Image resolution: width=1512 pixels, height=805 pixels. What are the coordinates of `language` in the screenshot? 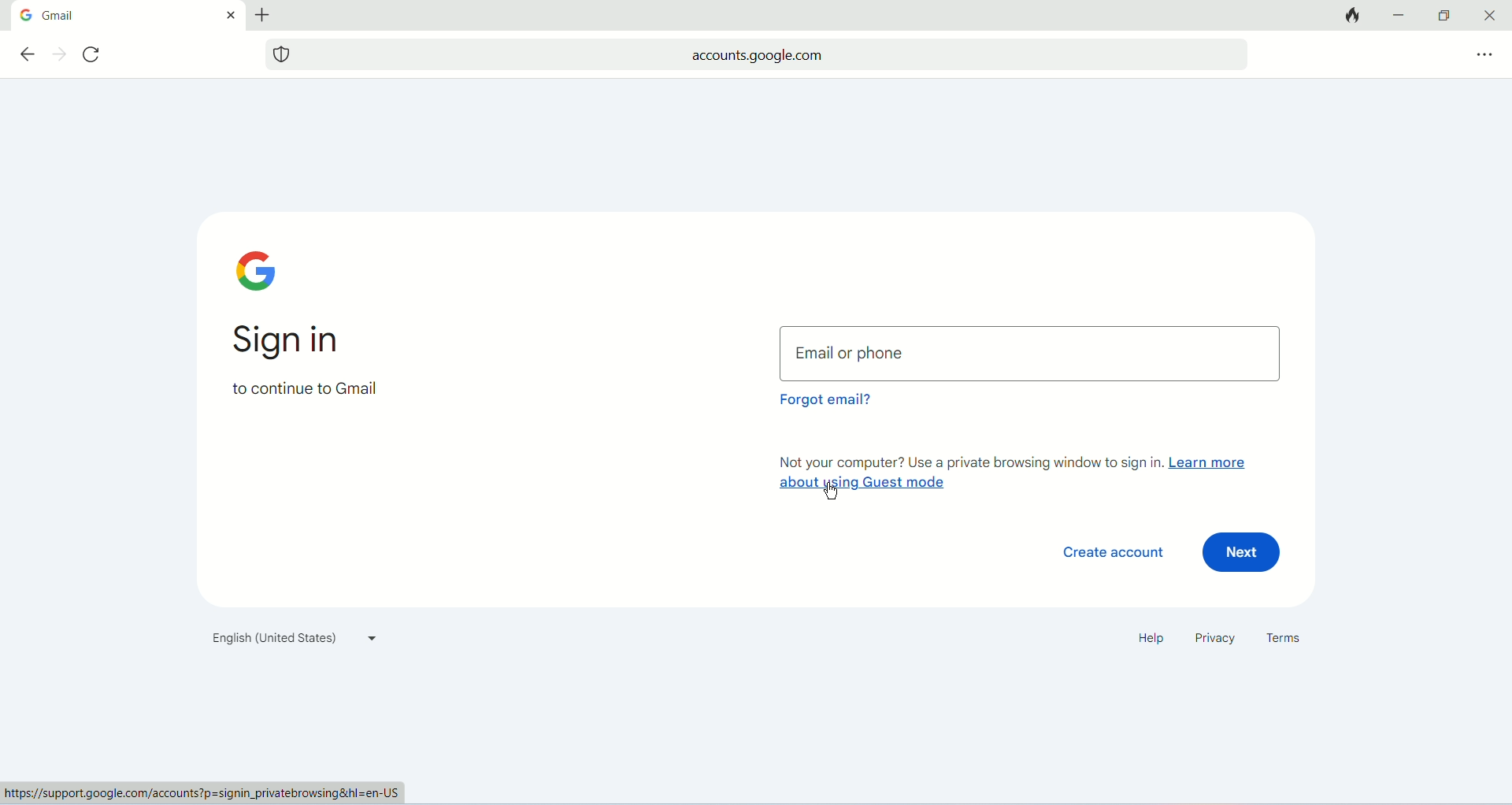 It's located at (291, 641).